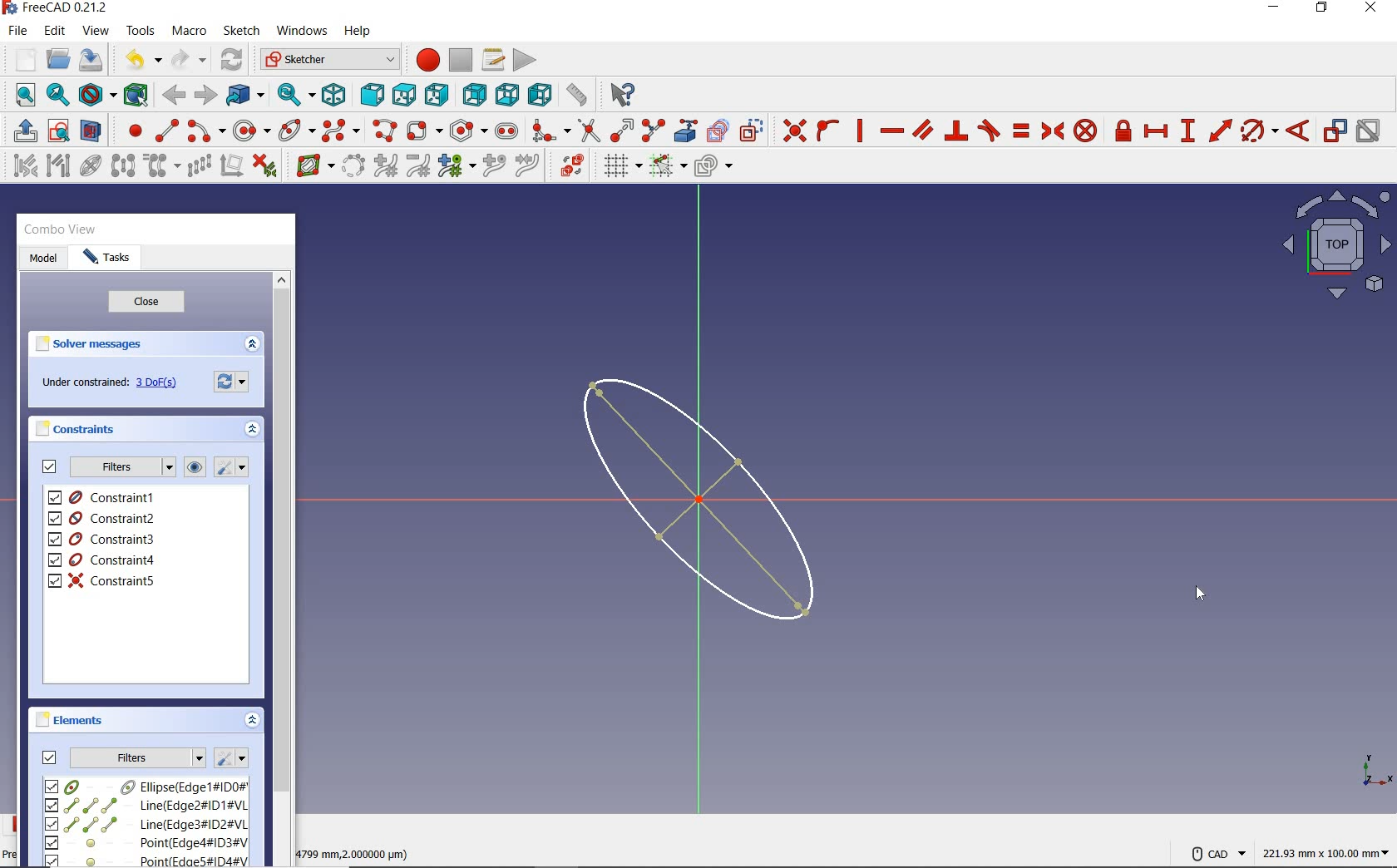 This screenshot has height=868, width=1397. I want to click on measurement, so click(1327, 851).